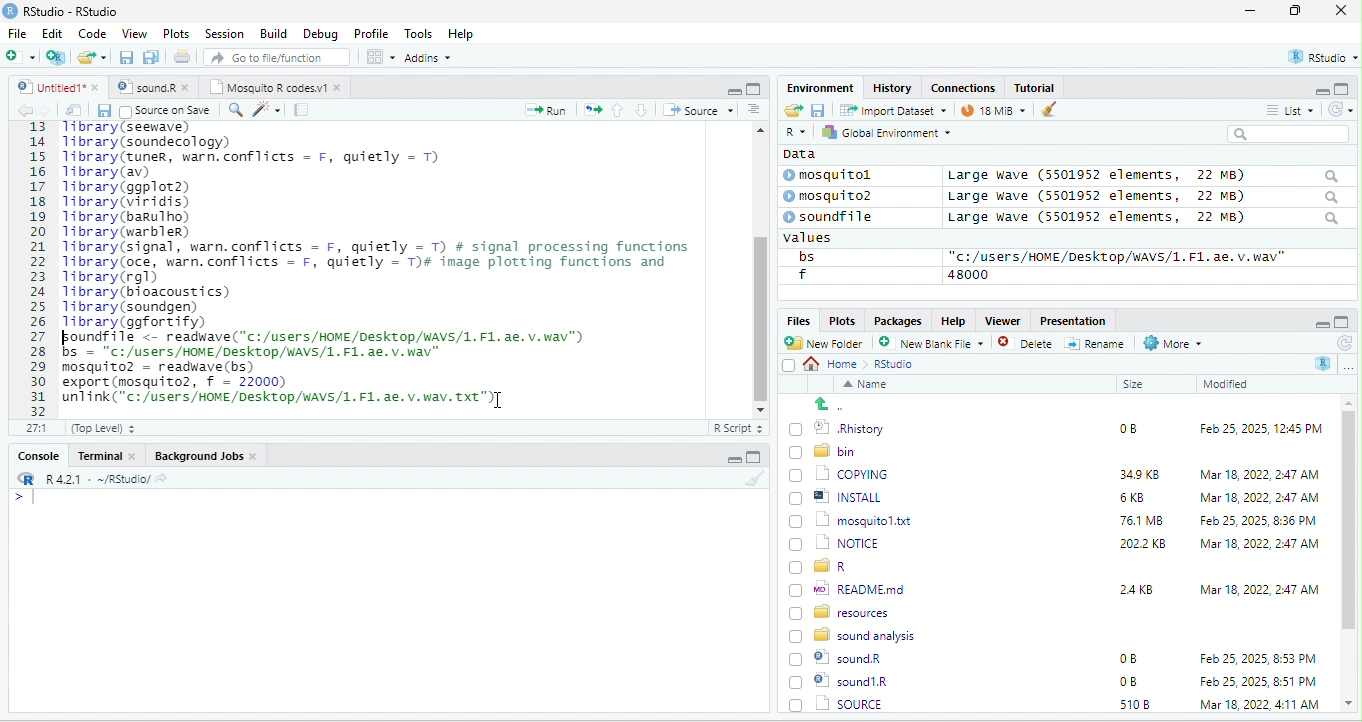 The height and width of the screenshot is (722, 1362). Describe the element at coordinates (1349, 554) in the screenshot. I see `scroll bar` at that location.